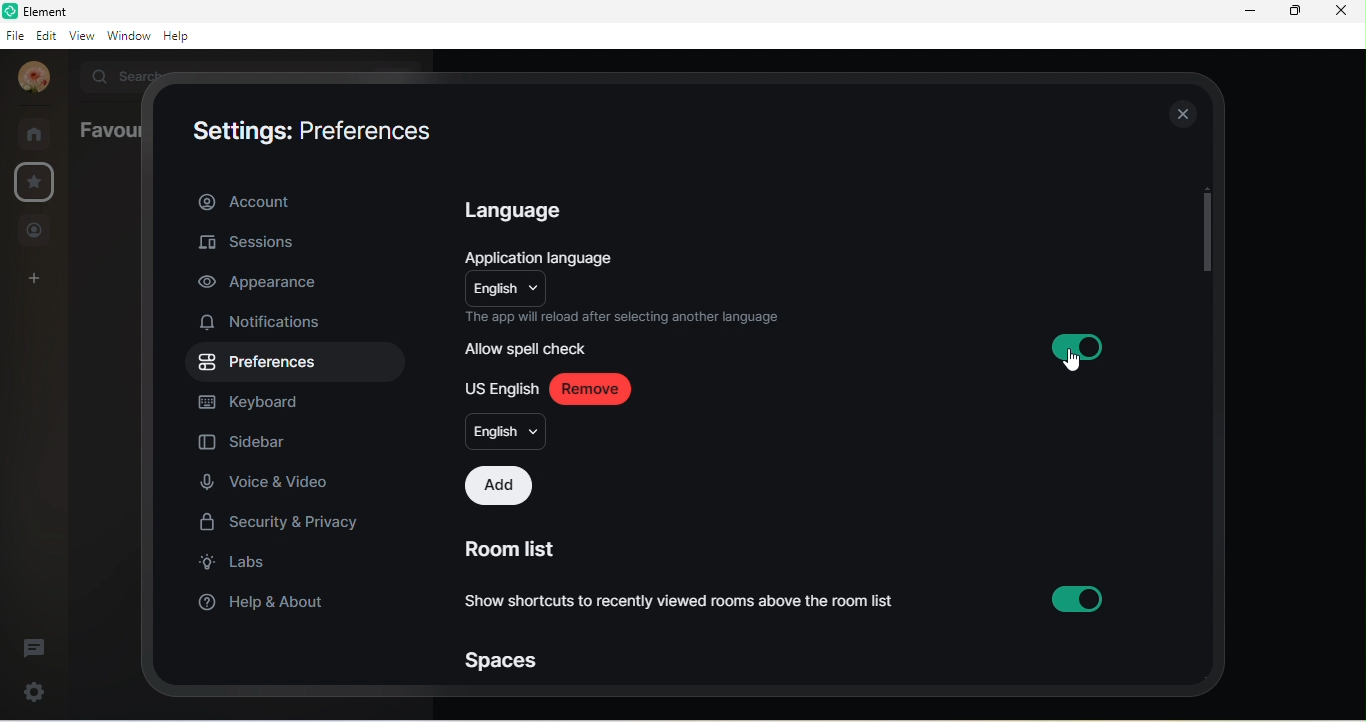 The height and width of the screenshot is (722, 1366). I want to click on favourite, so click(36, 183).